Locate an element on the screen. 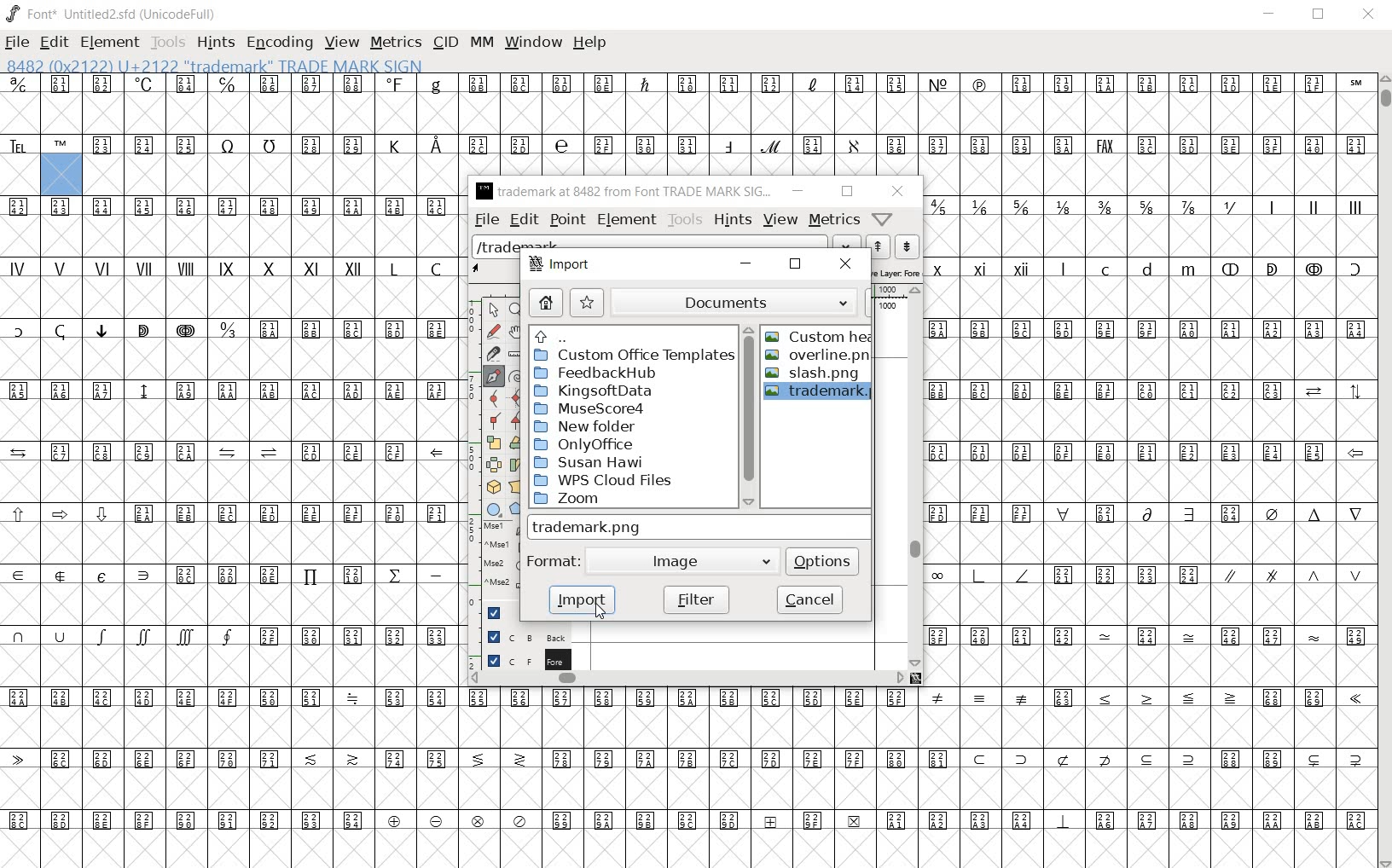 The height and width of the screenshot is (868, 1392). Image is located at coordinates (684, 561).